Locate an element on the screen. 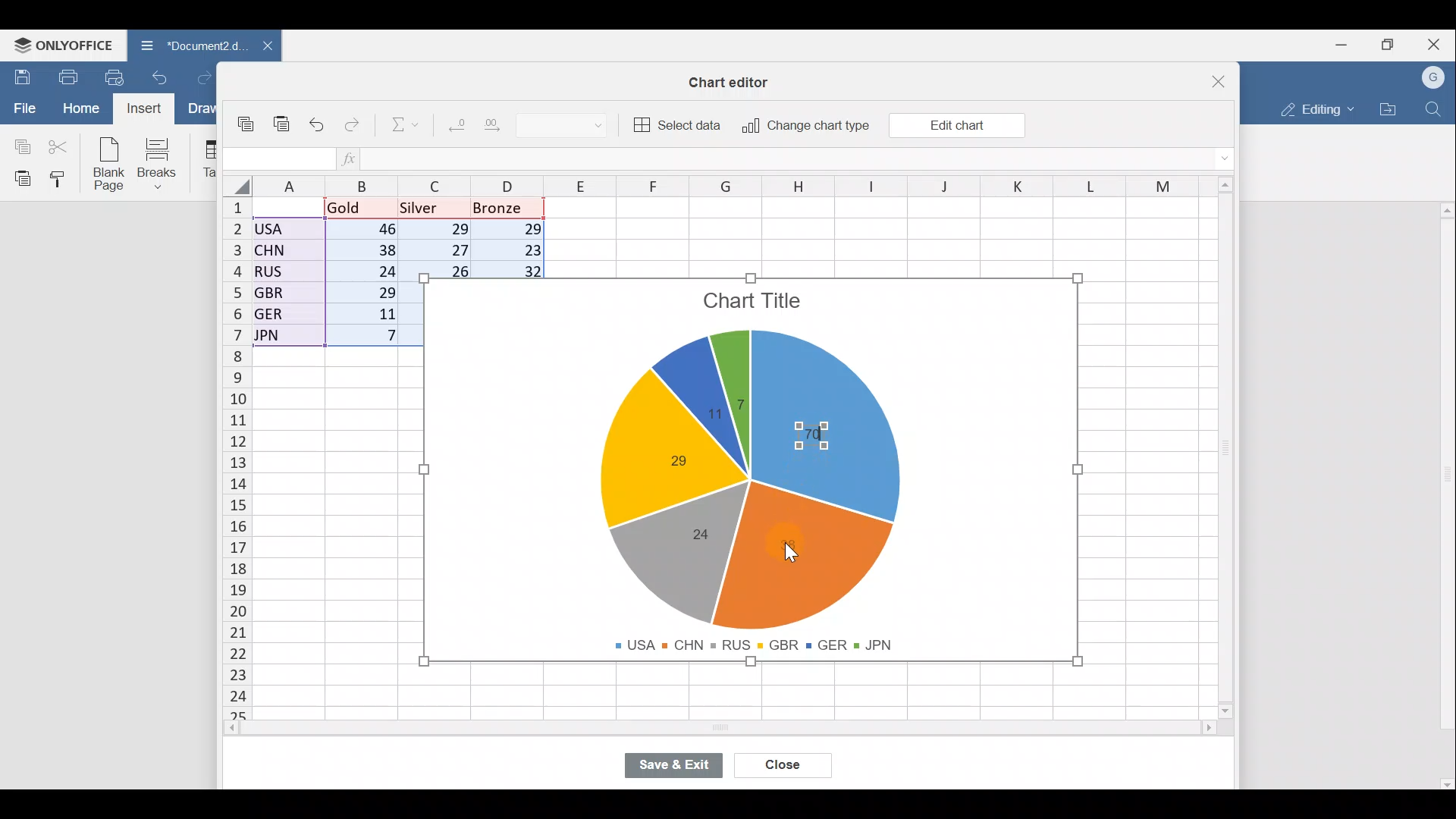 This screenshot has width=1456, height=819. Redo is located at coordinates (353, 128).